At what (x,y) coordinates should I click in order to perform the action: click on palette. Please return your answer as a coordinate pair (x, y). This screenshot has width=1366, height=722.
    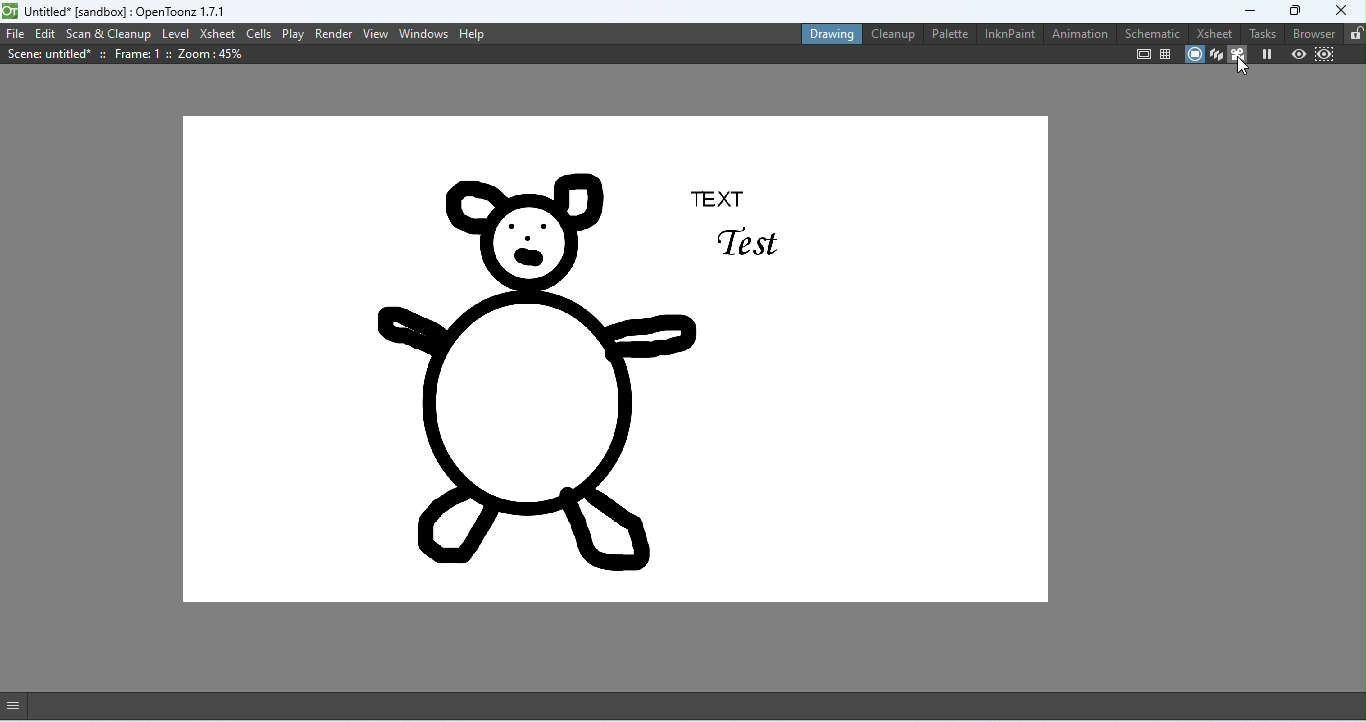
    Looking at the image, I should click on (947, 33).